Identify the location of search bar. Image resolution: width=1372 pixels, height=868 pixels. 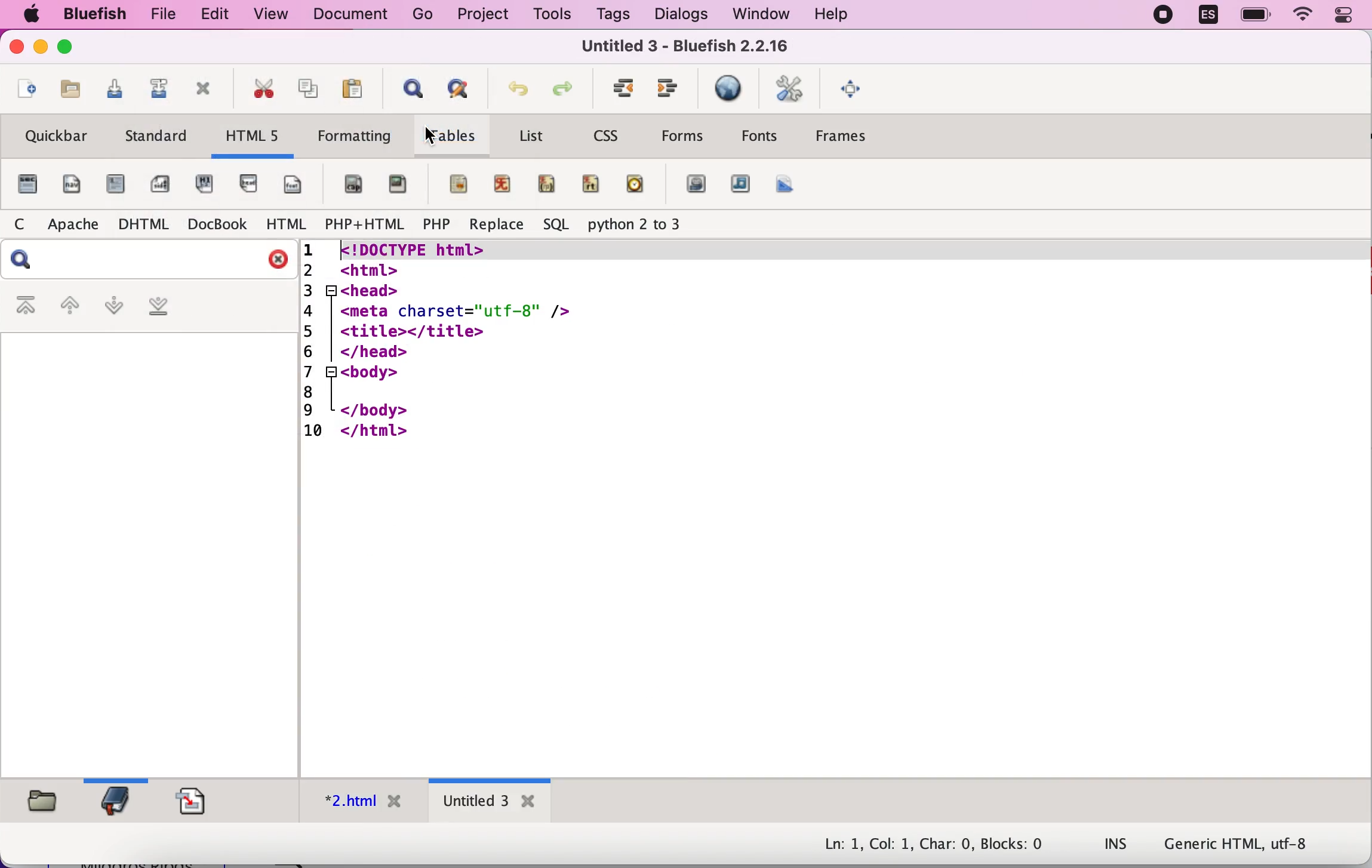
(26, 260).